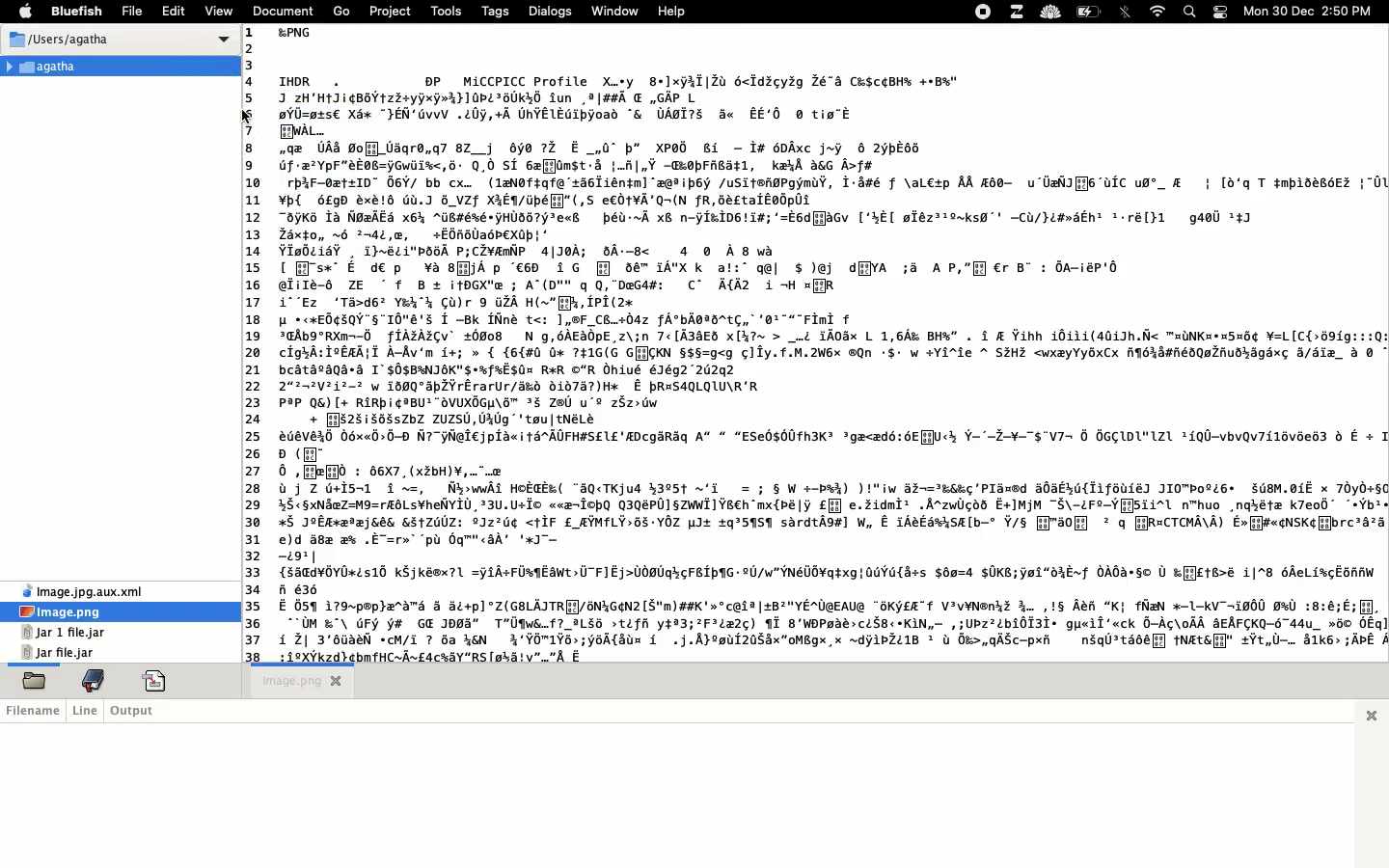 This screenshot has height=868, width=1389. What do you see at coordinates (673, 12) in the screenshot?
I see `help` at bounding box center [673, 12].